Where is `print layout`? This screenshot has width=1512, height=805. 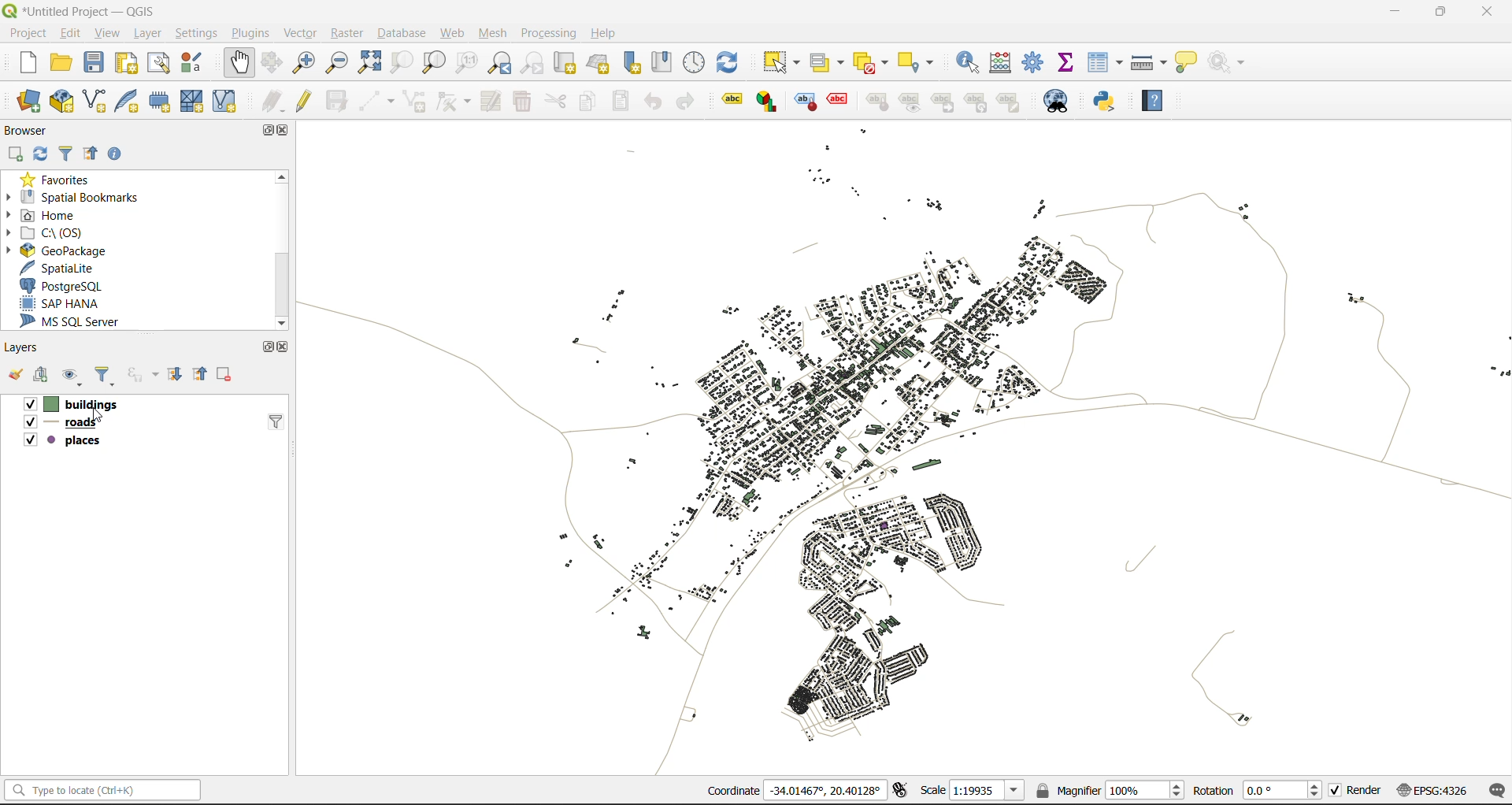 print layout is located at coordinates (128, 64).